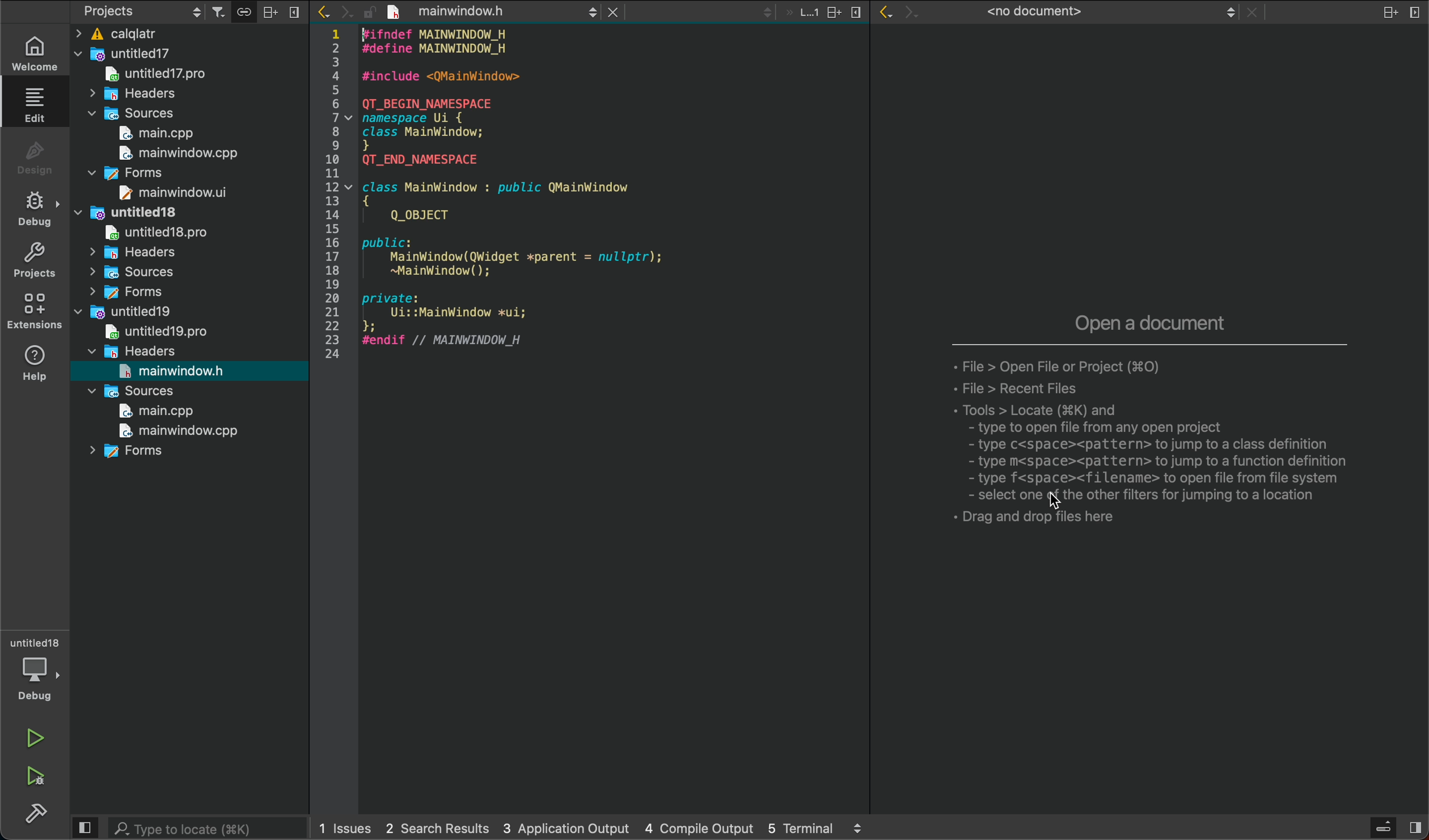  Describe the element at coordinates (345, 828) in the screenshot. I see `1 issues` at that location.